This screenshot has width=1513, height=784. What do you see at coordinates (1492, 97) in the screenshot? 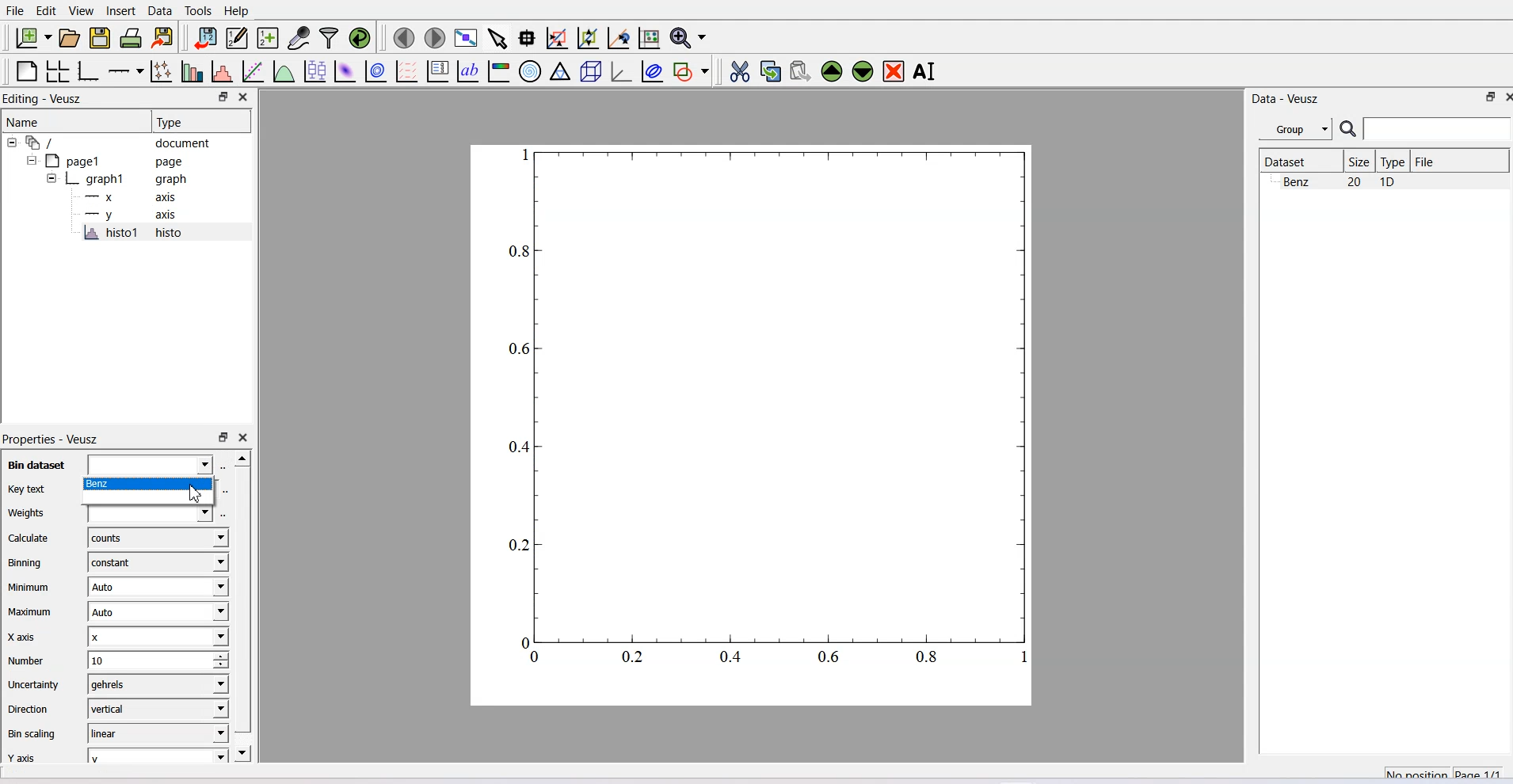
I see `Maximize` at bounding box center [1492, 97].